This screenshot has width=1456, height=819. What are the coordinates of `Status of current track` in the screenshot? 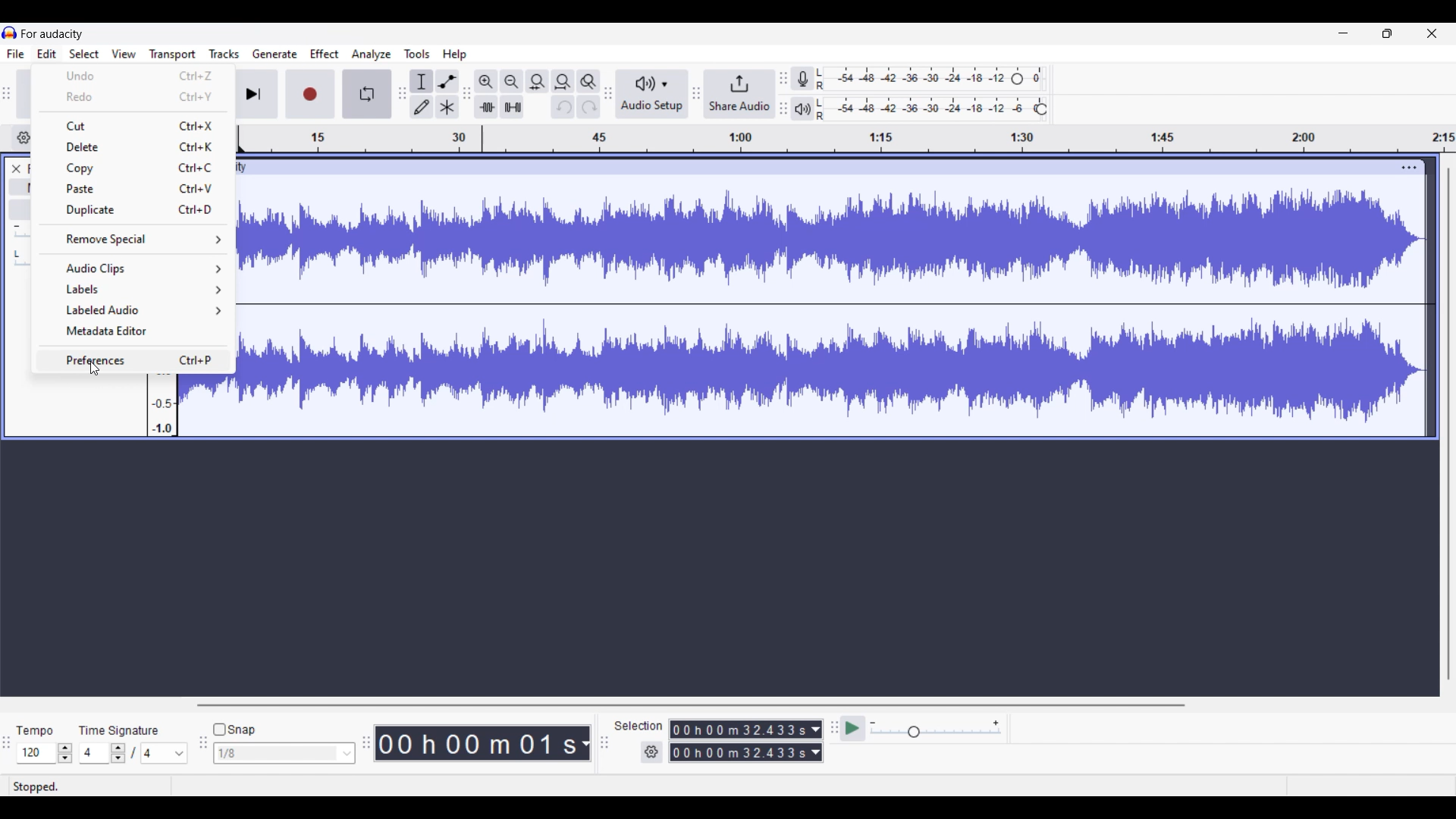 It's located at (38, 786).